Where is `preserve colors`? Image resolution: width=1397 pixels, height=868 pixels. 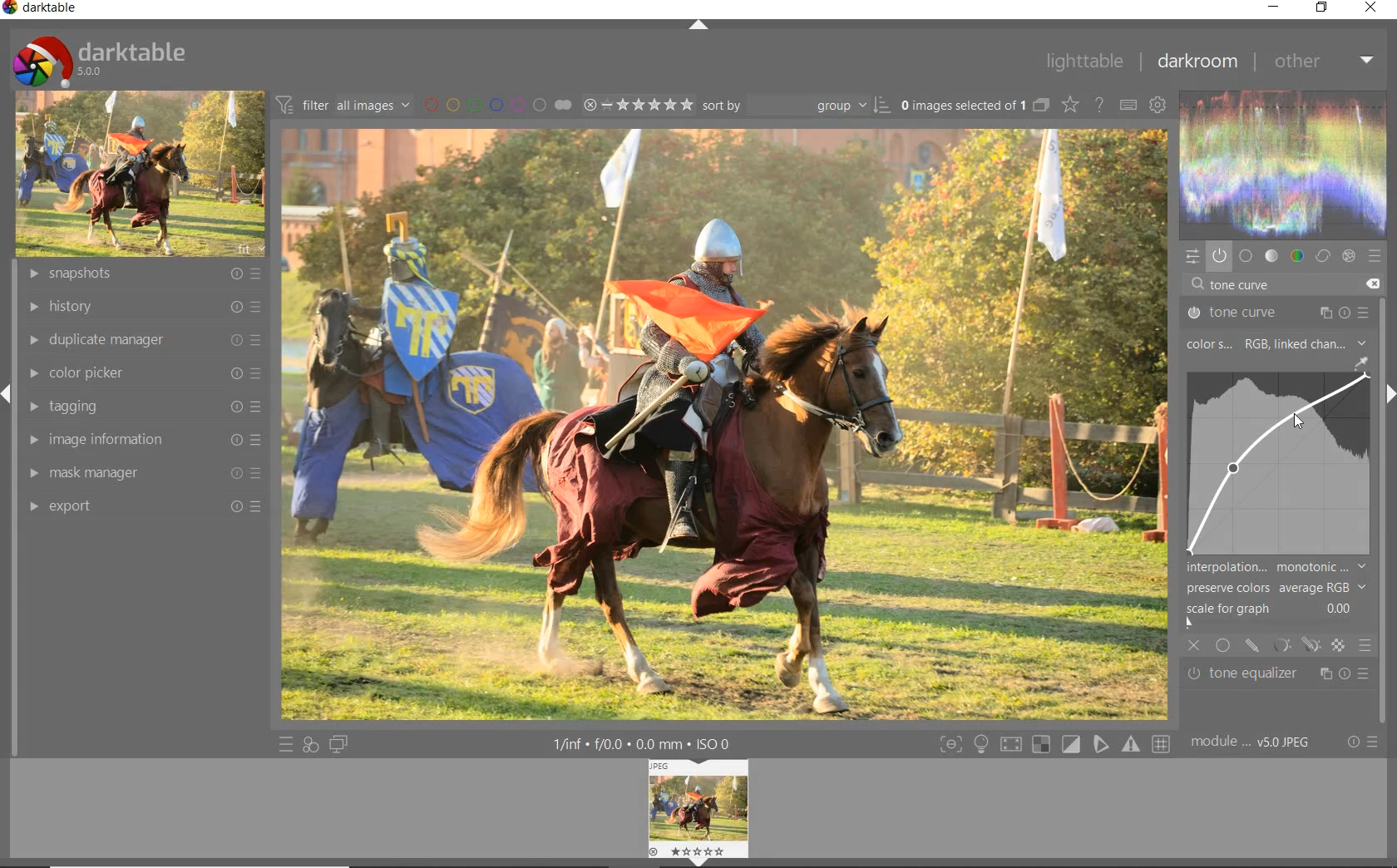
preserve colors is located at coordinates (1276, 588).